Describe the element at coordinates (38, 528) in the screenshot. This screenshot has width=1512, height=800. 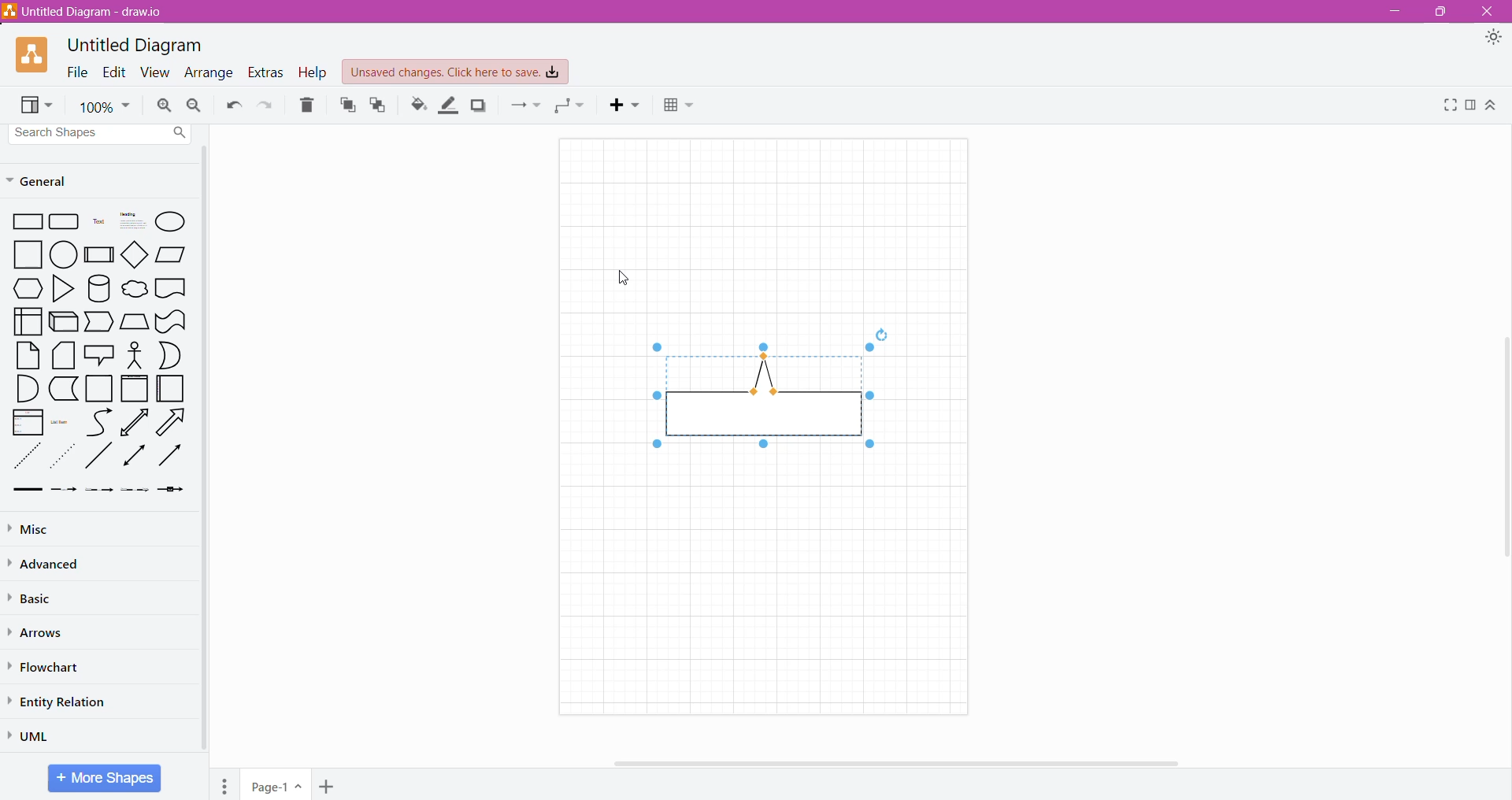
I see `Misc` at that location.